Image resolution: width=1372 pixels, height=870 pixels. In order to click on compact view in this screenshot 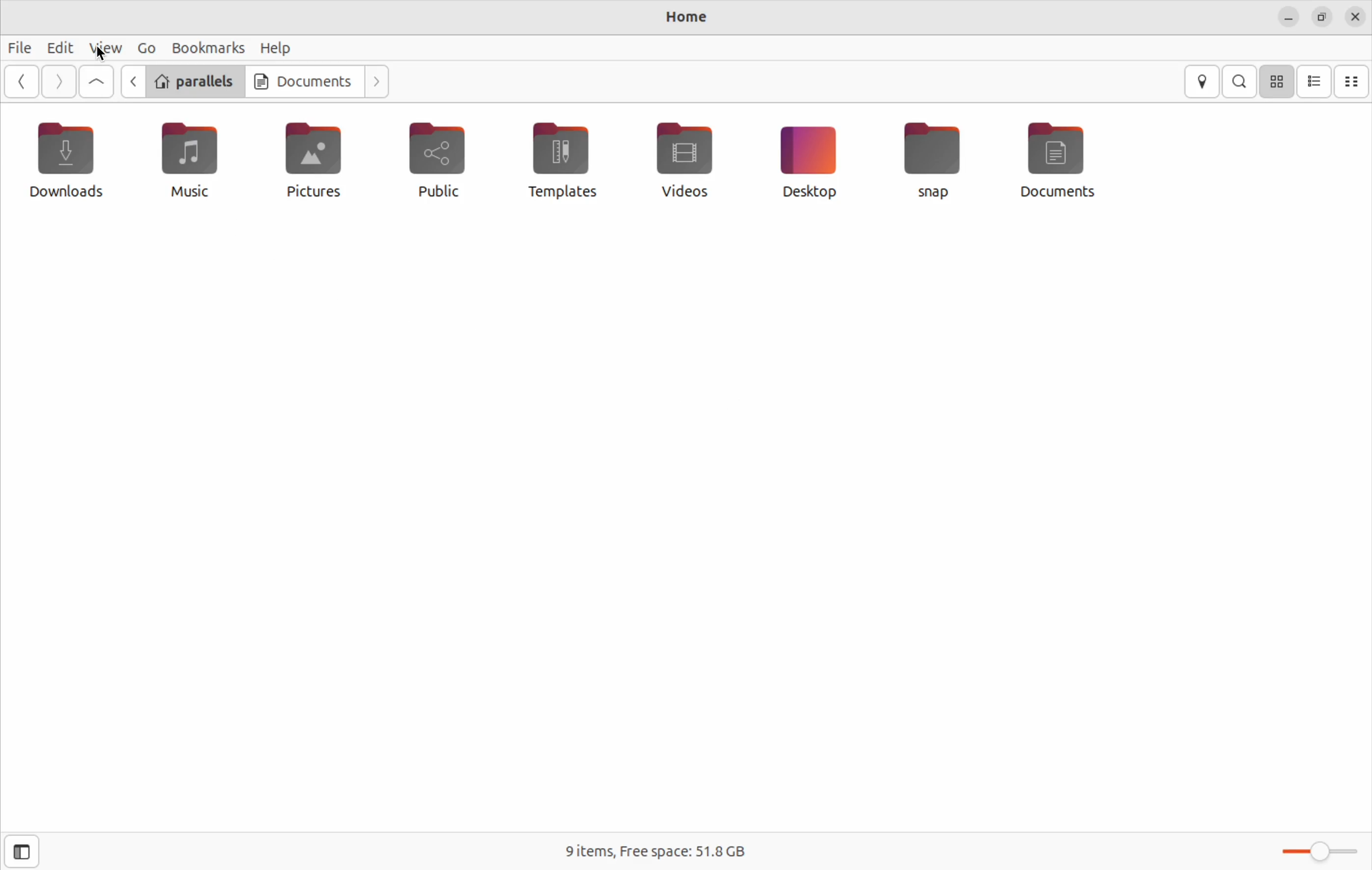, I will do `click(1353, 82)`.